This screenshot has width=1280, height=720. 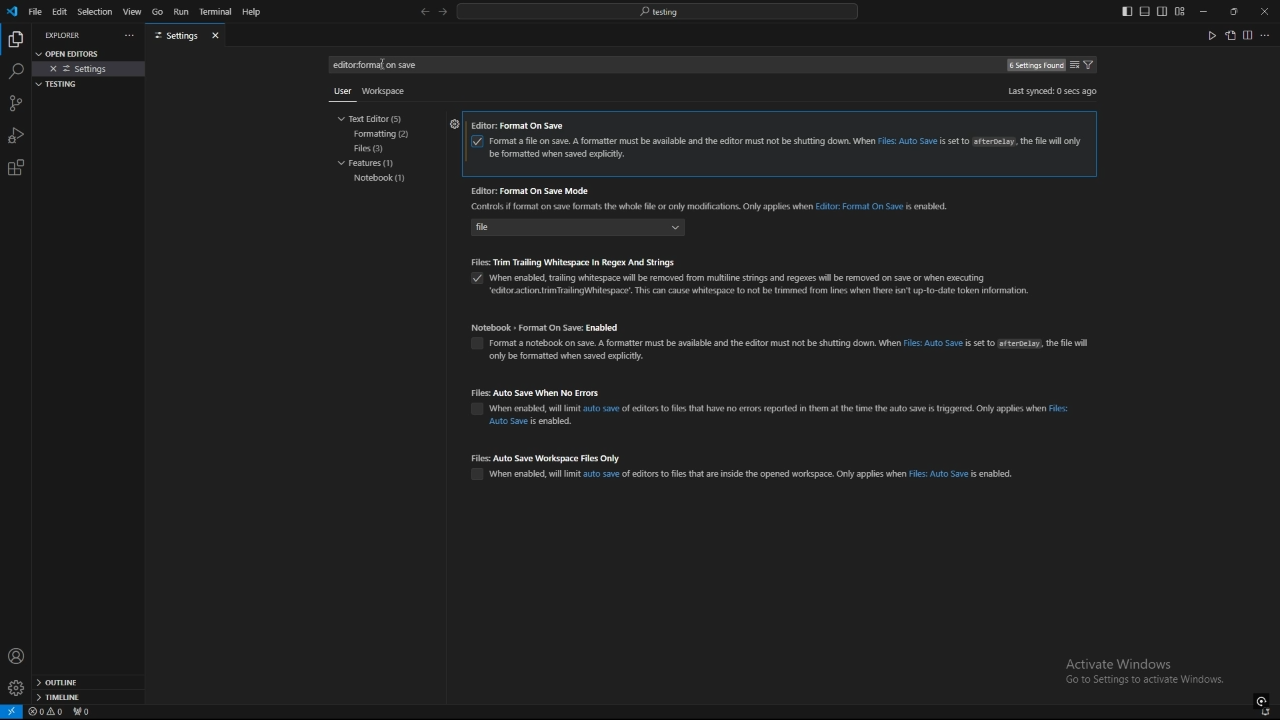 What do you see at coordinates (338, 95) in the screenshot?
I see `` at bounding box center [338, 95].